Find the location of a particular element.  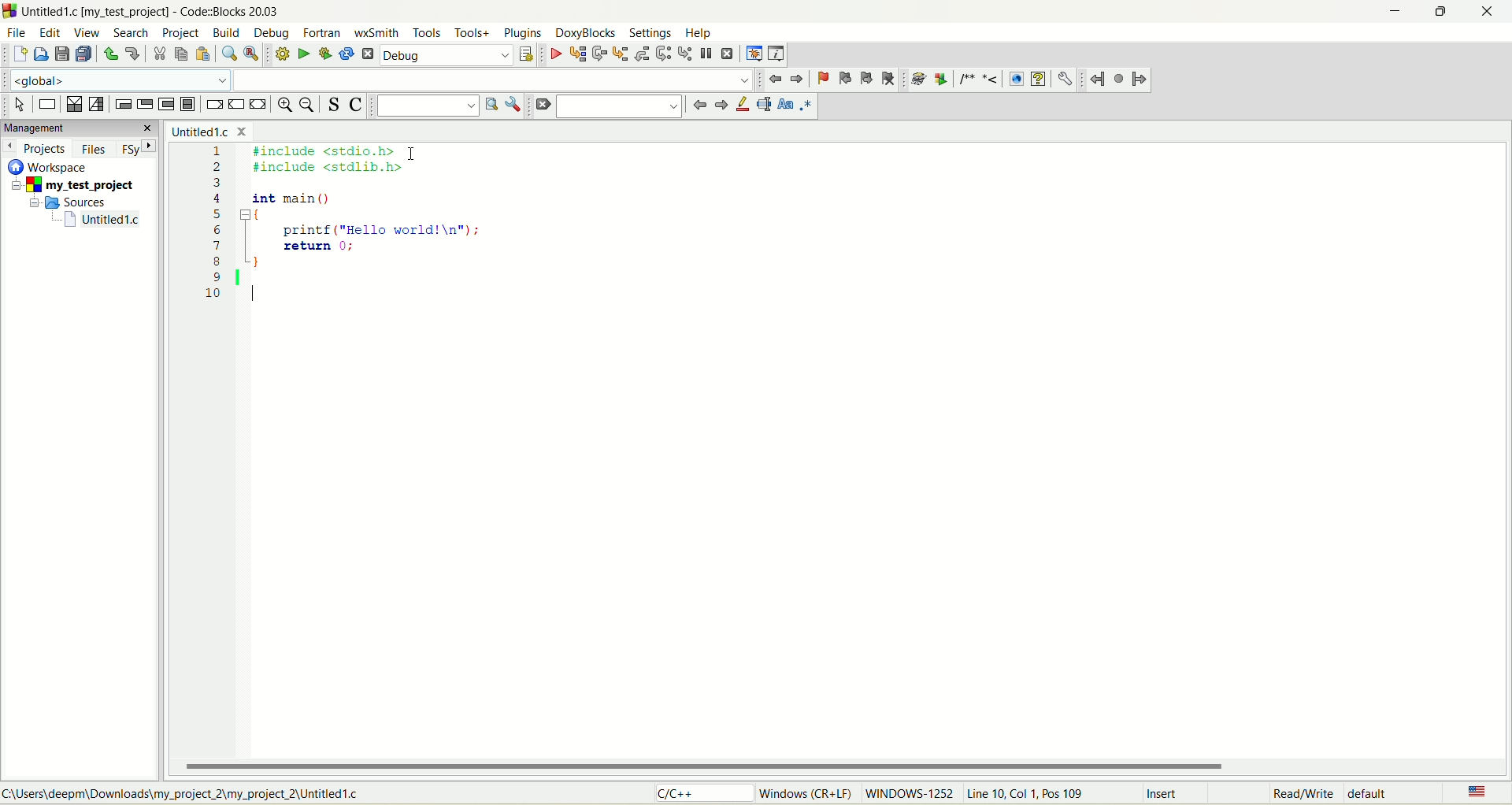

break instruction is located at coordinates (213, 104).